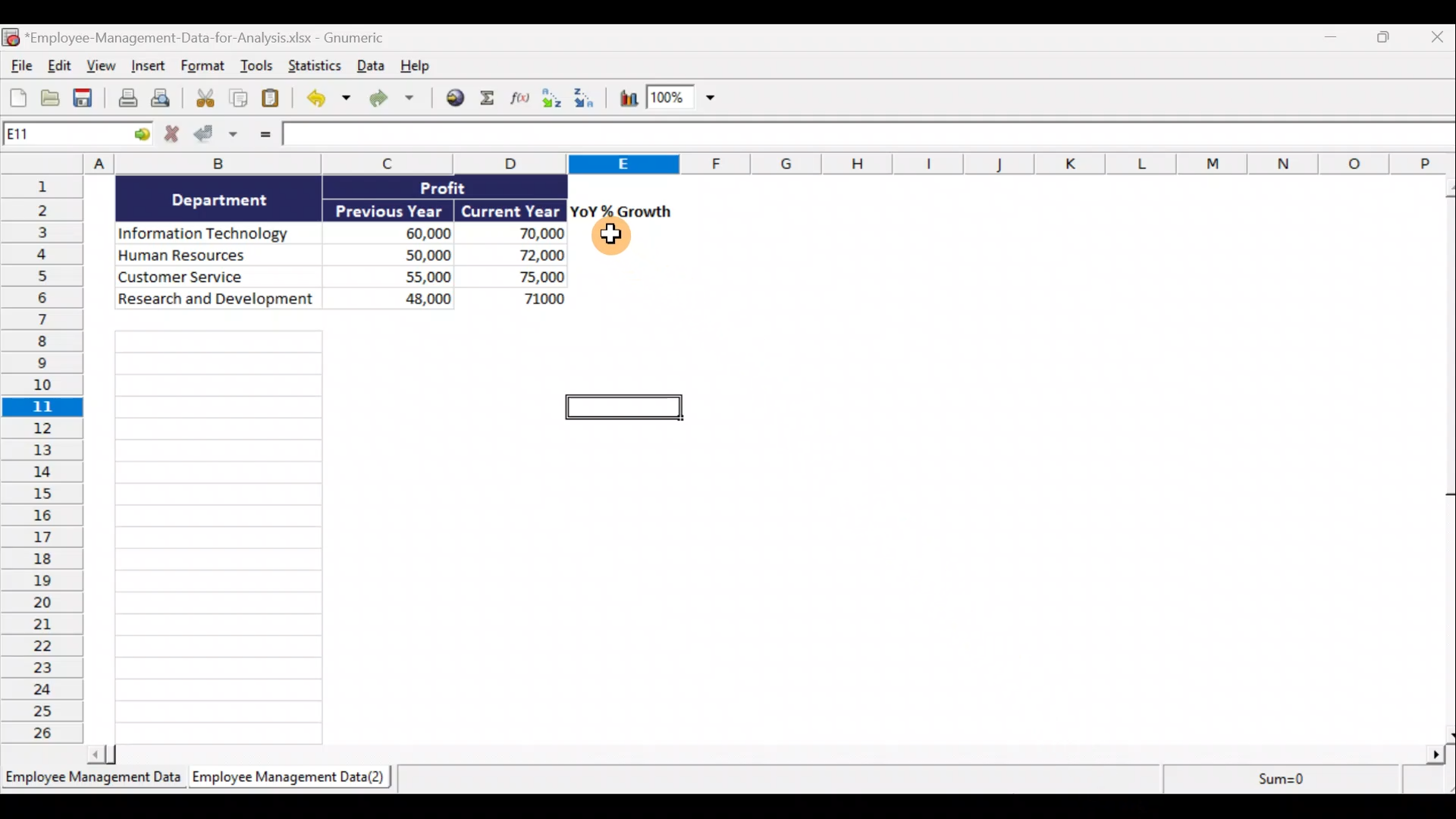 The width and height of the screenshot is (1456, 819). Describe the element at coordinates (627, 101) in the screenshot. I see `Insert a chart` at that location.